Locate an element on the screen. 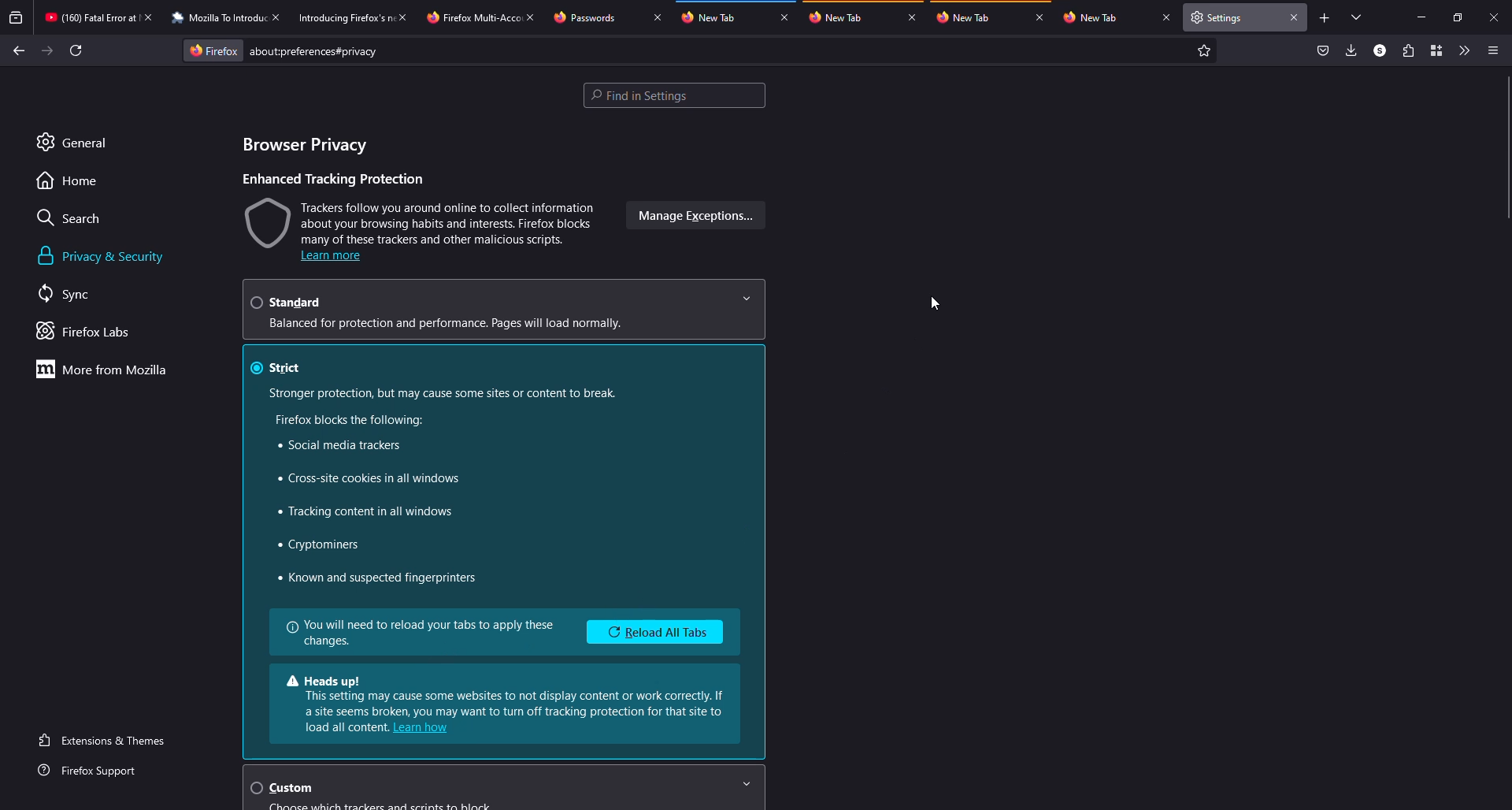  account is located at coordinates (1380, 51).